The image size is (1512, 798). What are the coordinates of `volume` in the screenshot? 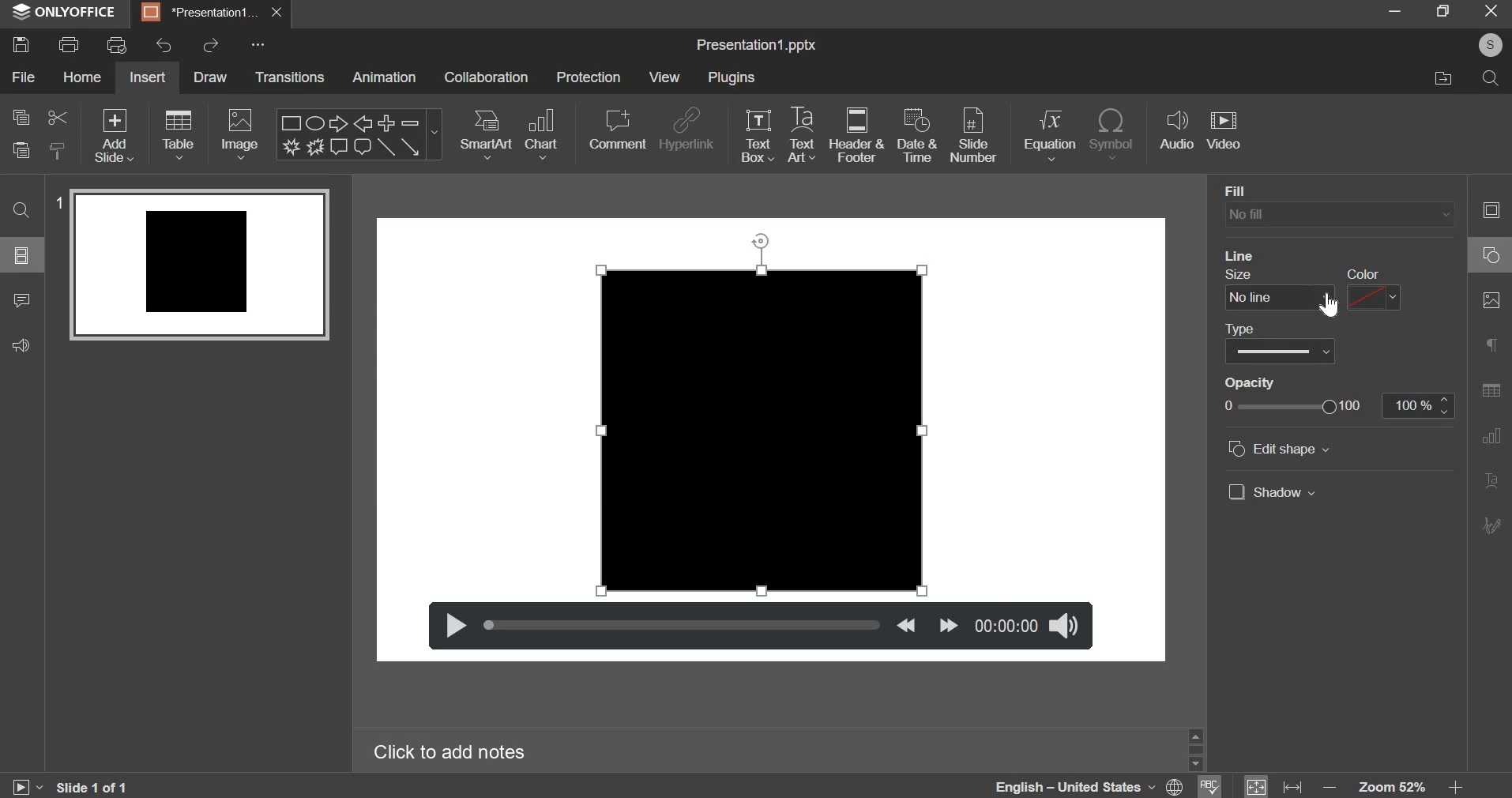 It's located at (1063, 625).